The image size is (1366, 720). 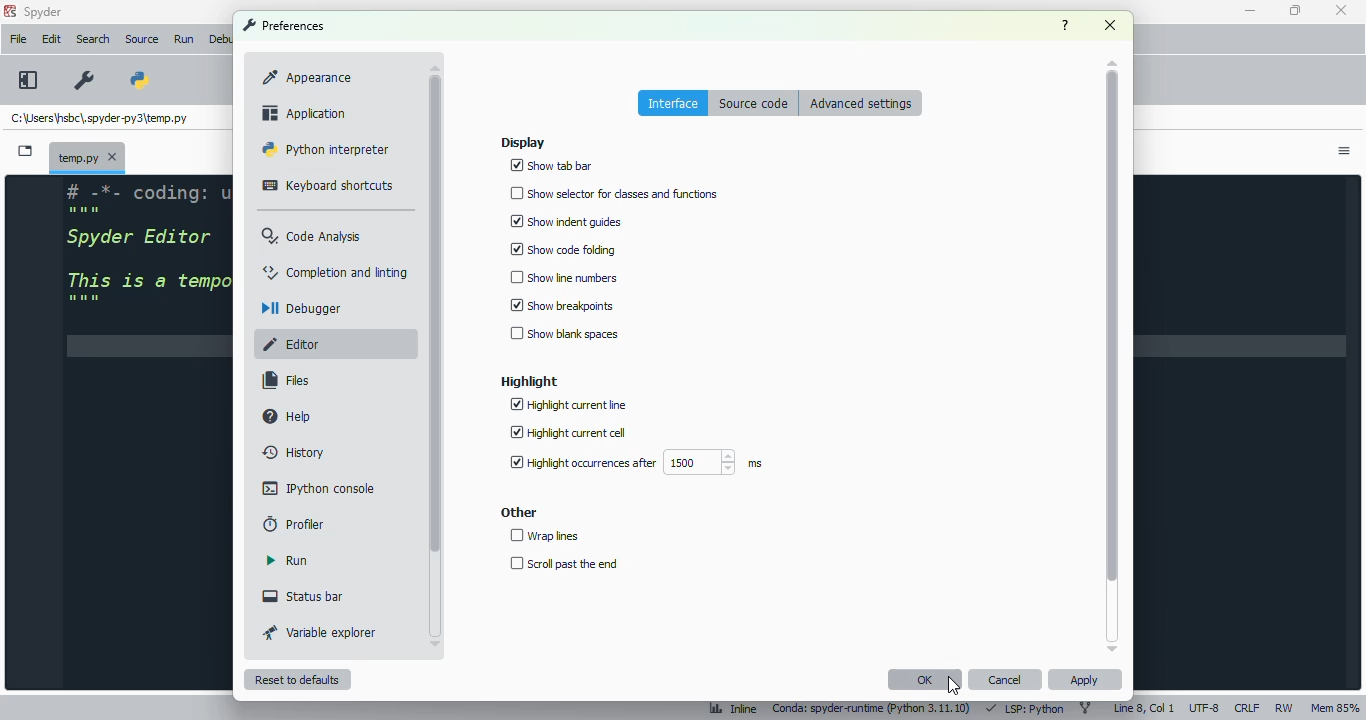 I want to click on browse tabs, so click(x=26, y=151).